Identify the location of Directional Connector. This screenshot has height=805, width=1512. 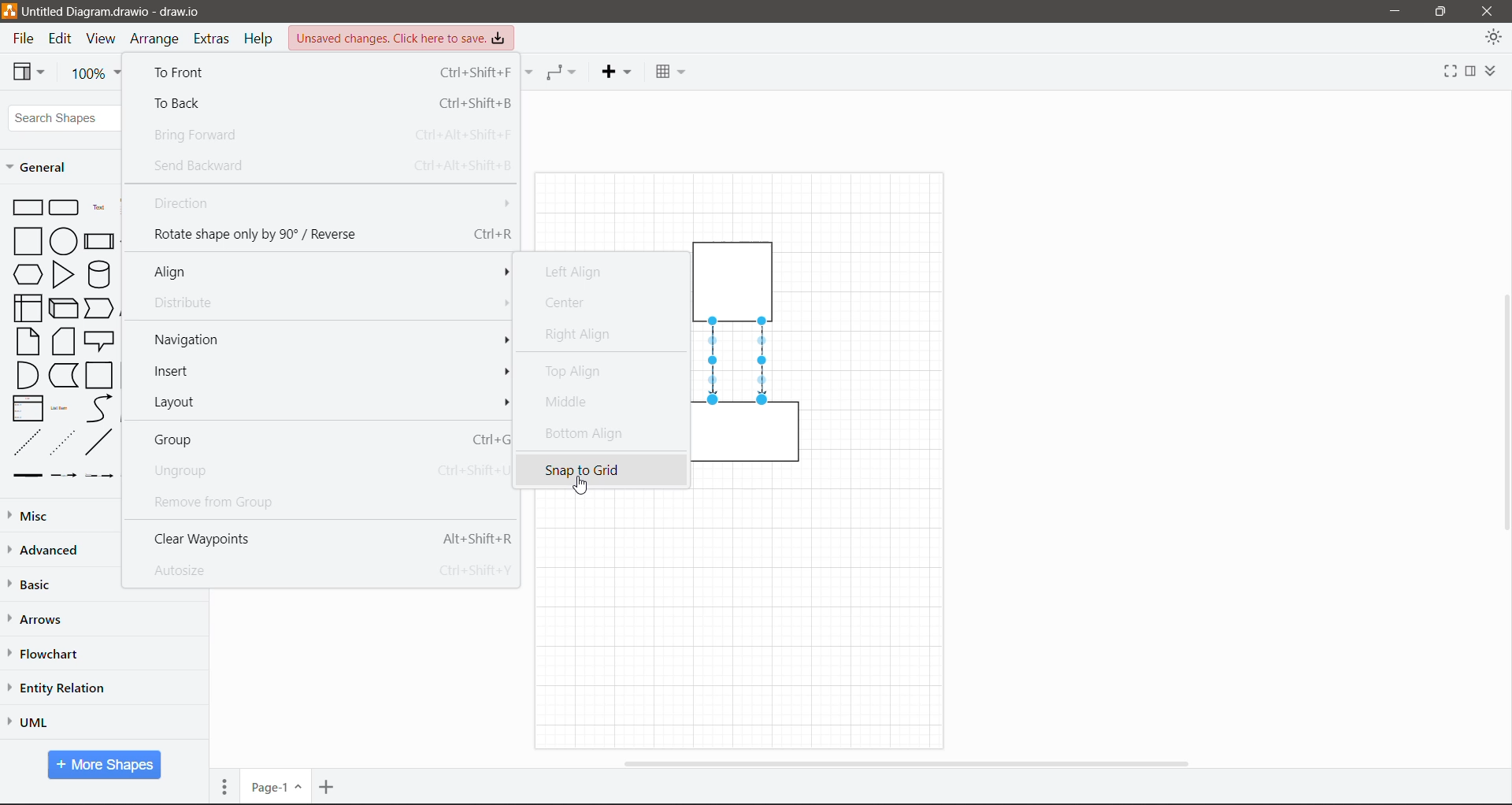
(714, 362).